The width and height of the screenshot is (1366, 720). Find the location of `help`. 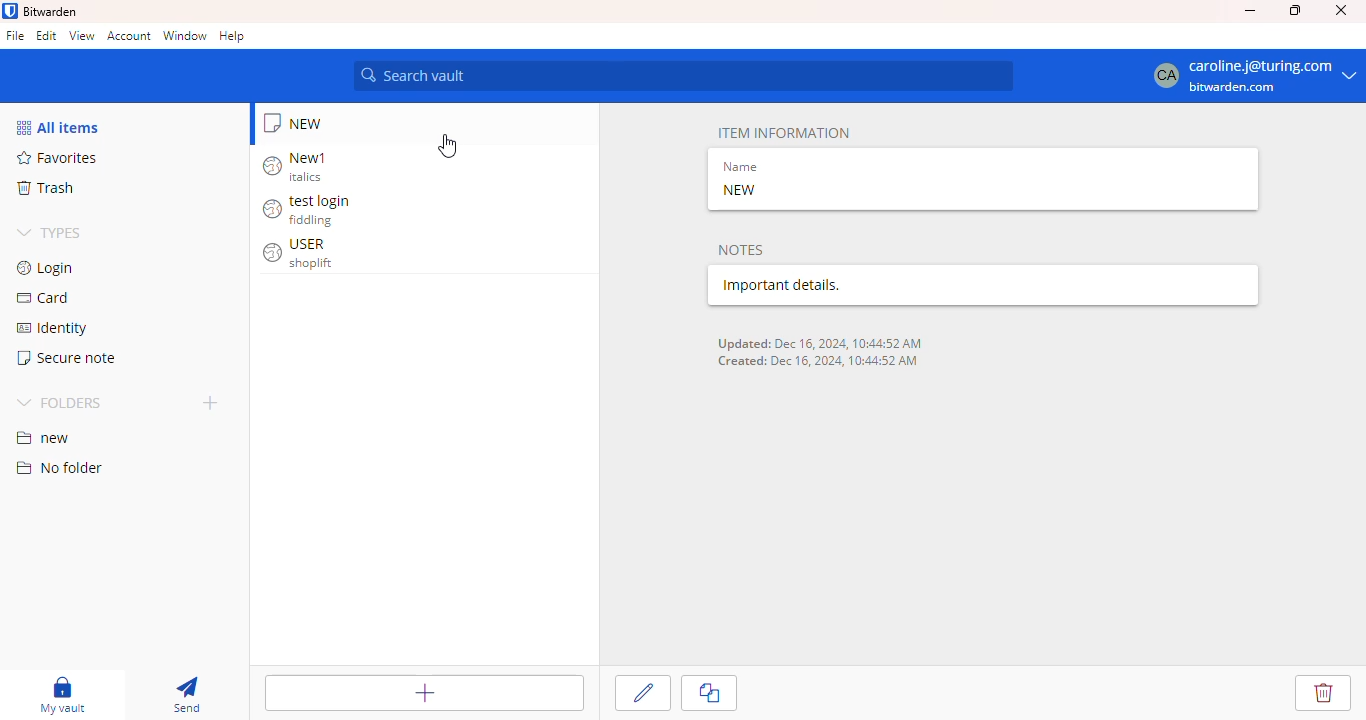

help is located at coordinates (232, 36).